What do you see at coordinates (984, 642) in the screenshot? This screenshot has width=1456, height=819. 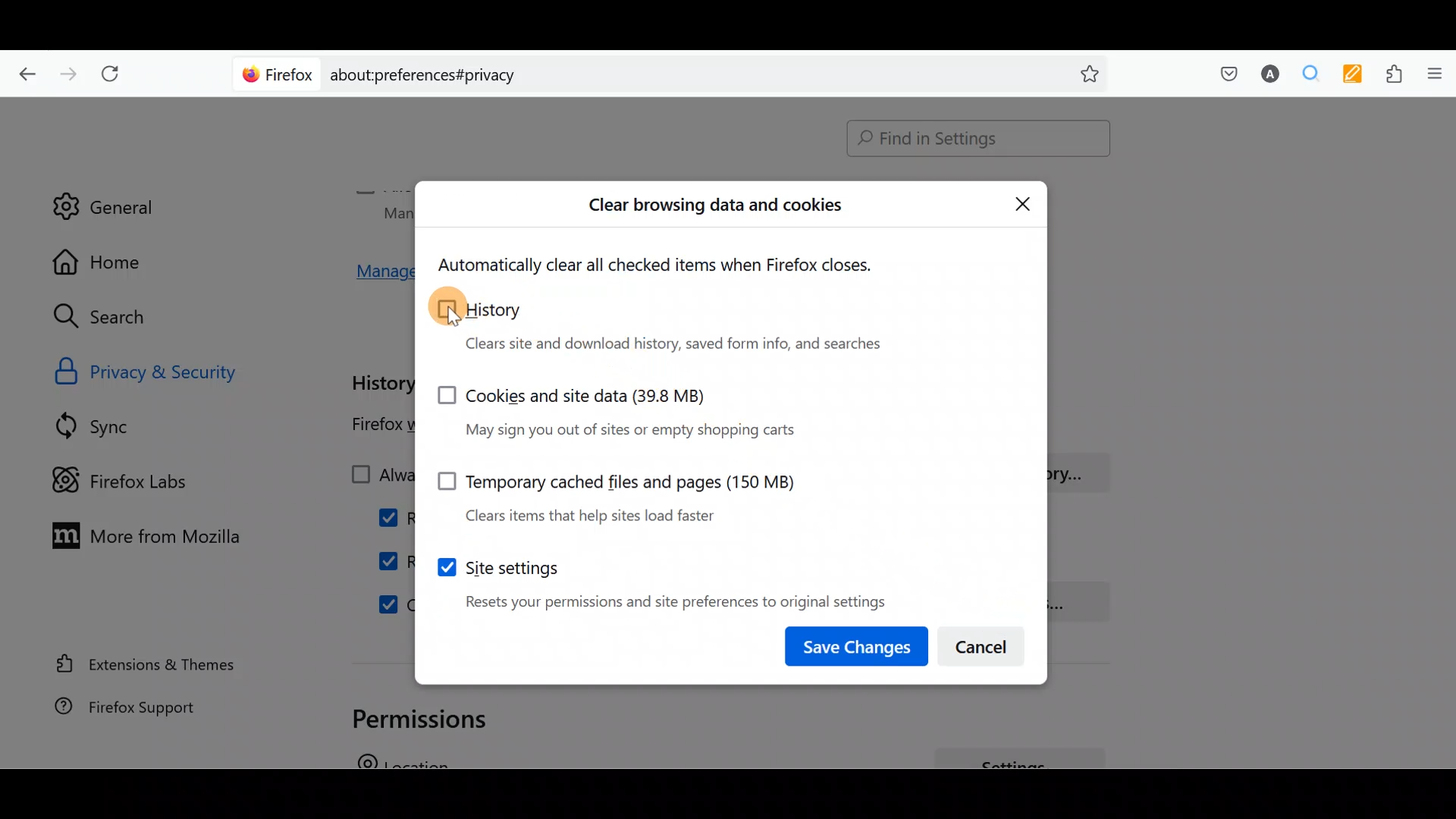 I see `Cancel` at bounding box center [984, 642].